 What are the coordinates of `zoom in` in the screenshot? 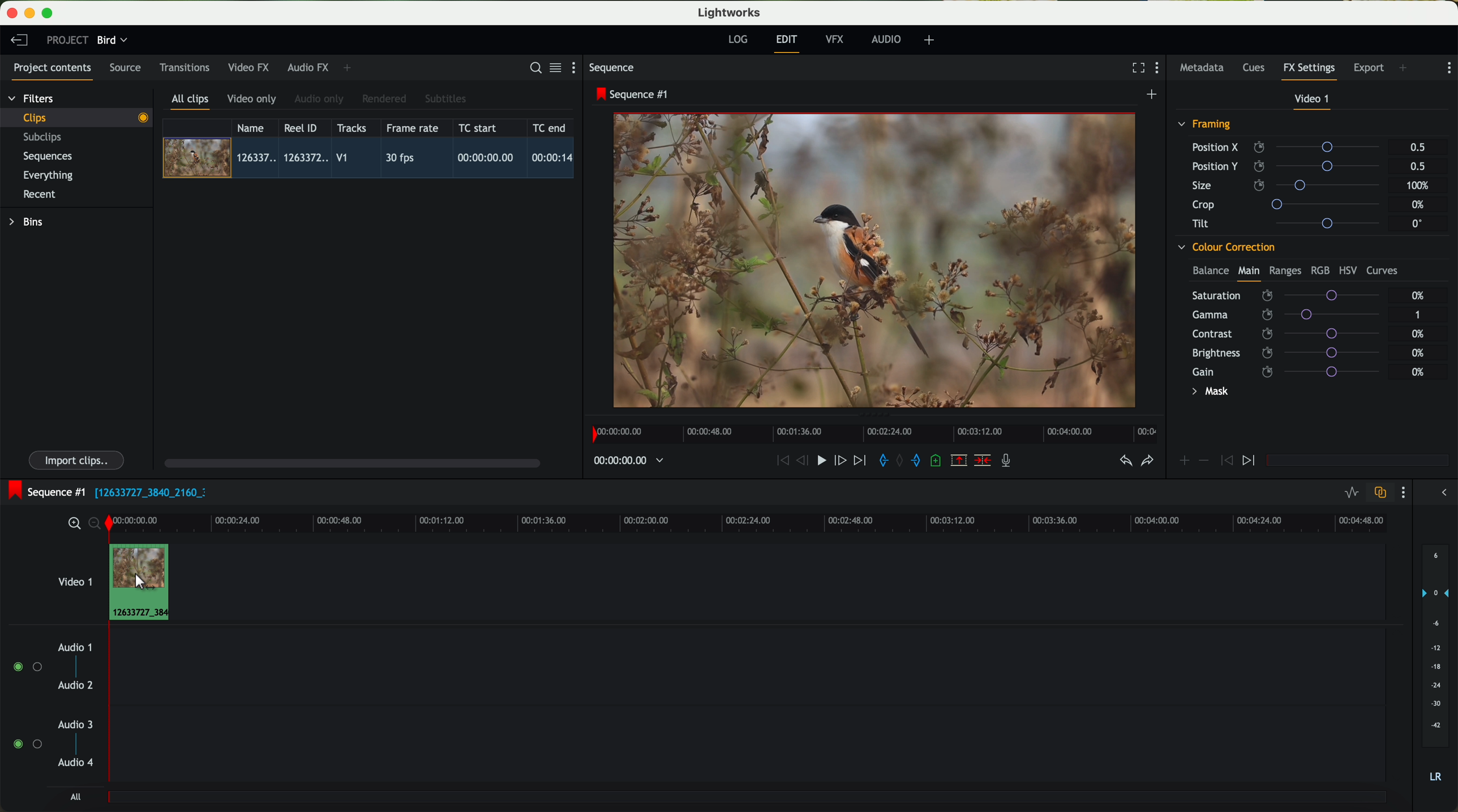 It's located at (72, 524).